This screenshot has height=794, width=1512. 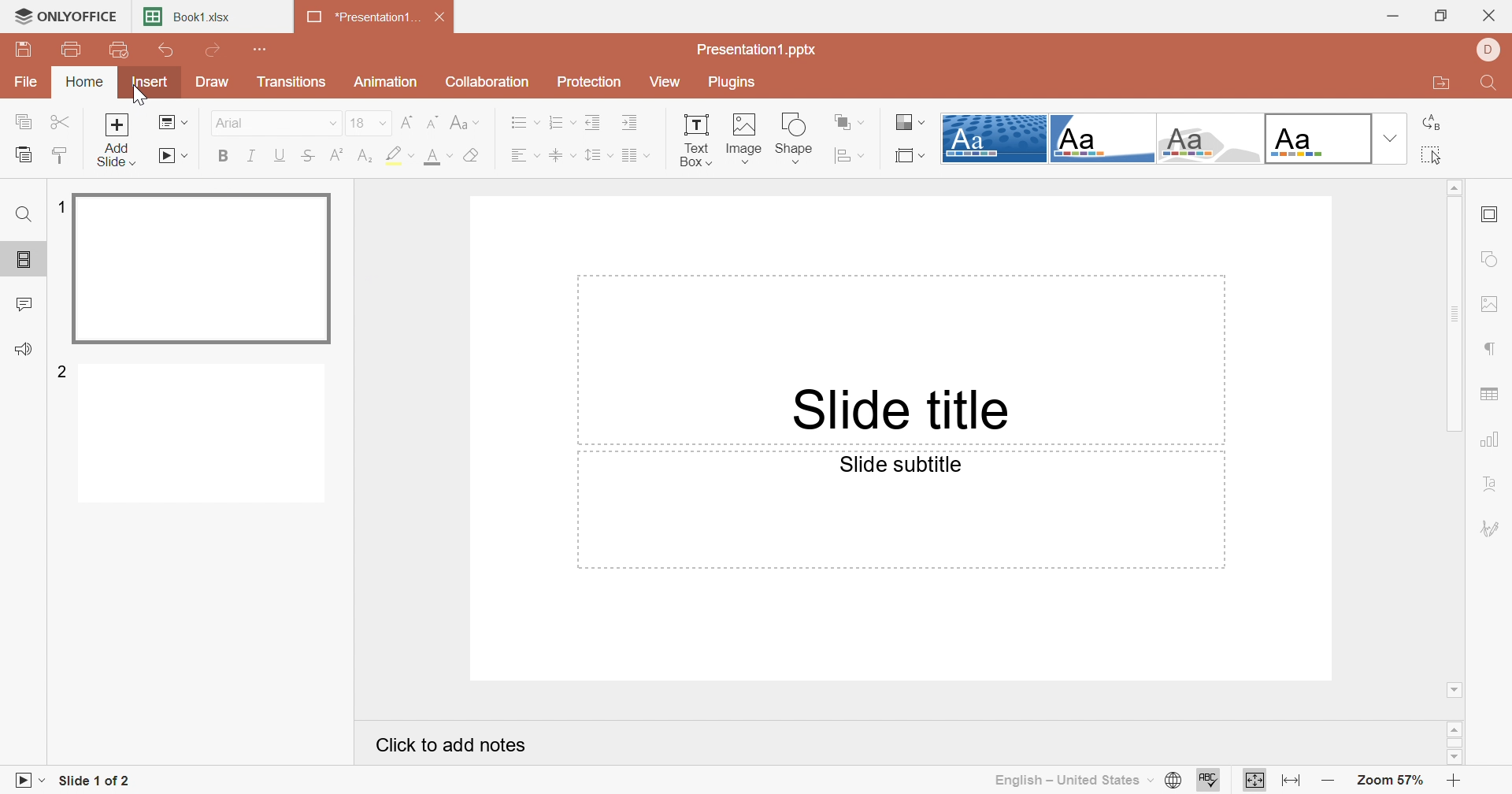 What do you see at coordinates (733, 82) in the screenshot?
I see `Plugins` at bounding box center [733, 82].